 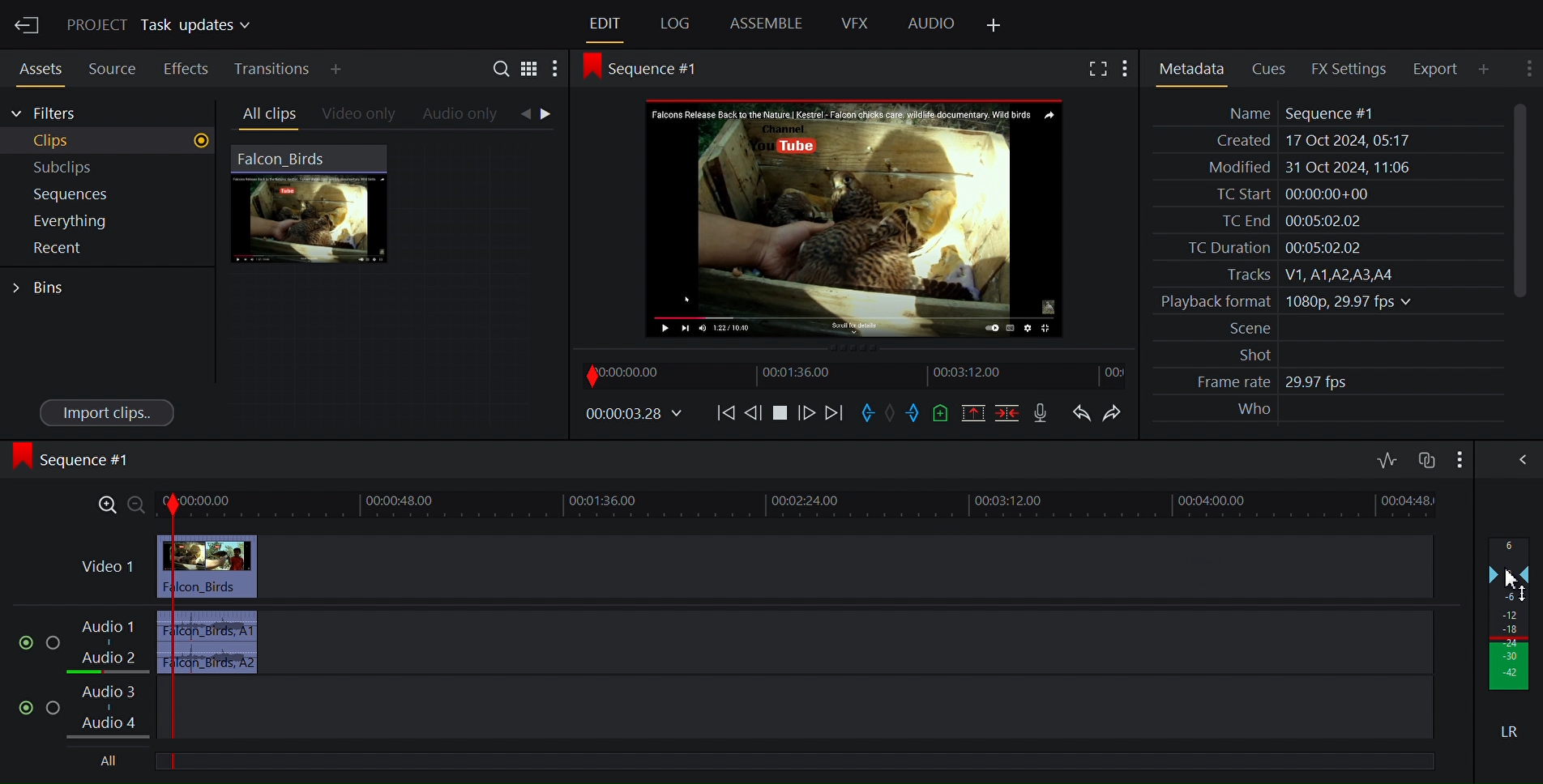 I want to click on Remove all marked sections, so click(x=972, y=413).